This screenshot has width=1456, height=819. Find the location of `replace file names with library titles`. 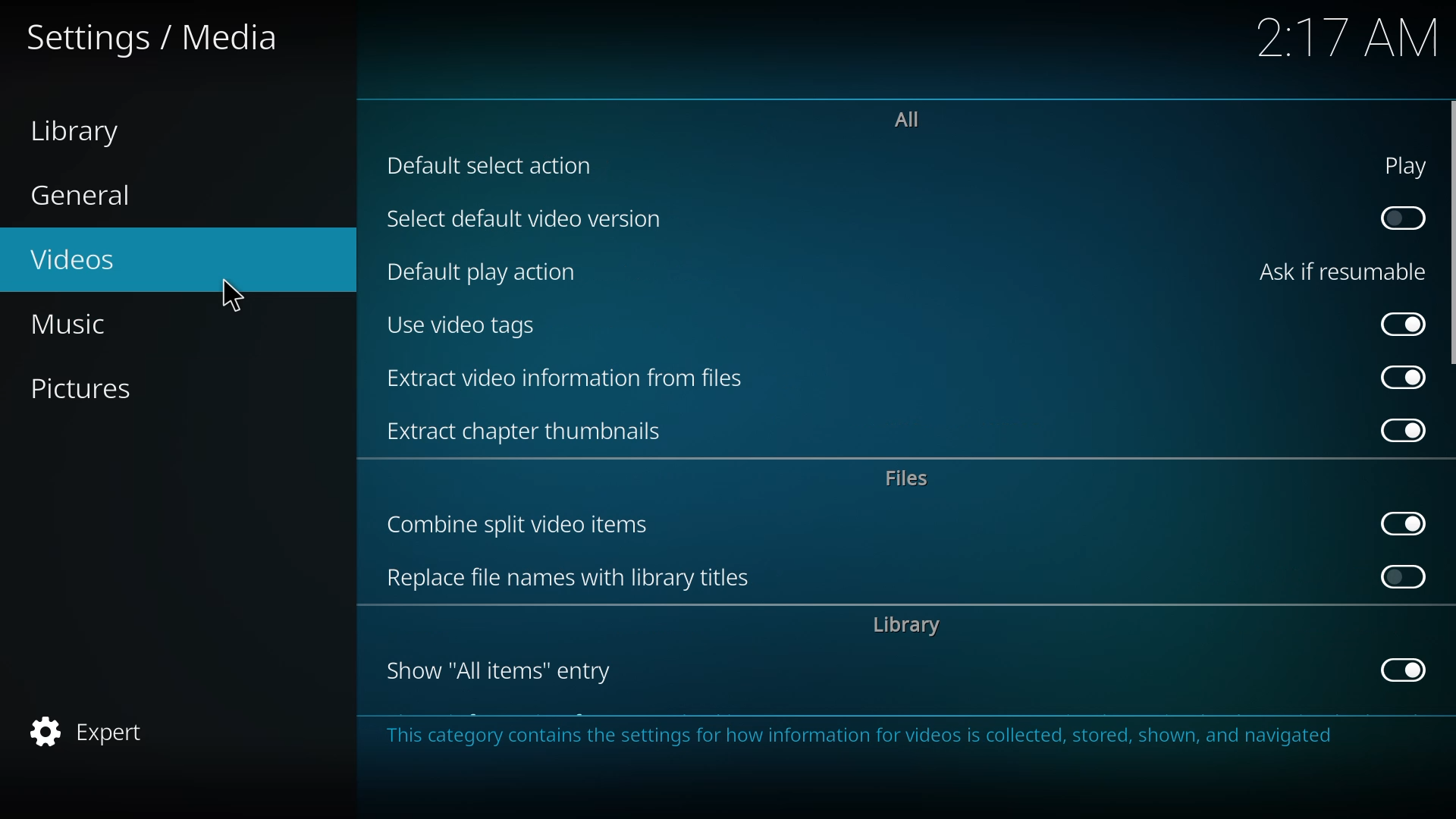

replace file names with library titles is located at coordinates (576, 580).